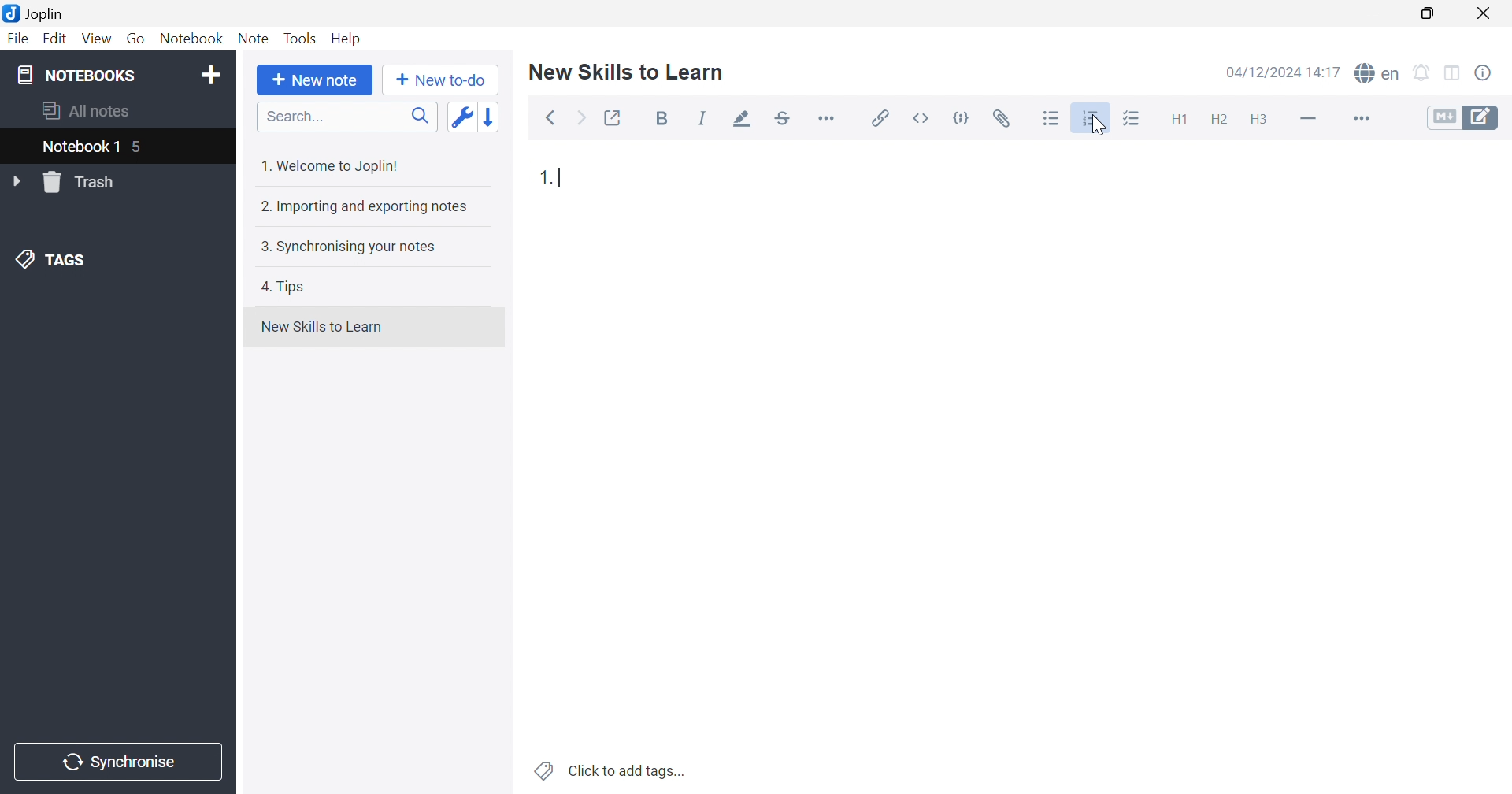  Describe the element at coordinates (1359, 120) in the screenshot. I see `More...` at that location.